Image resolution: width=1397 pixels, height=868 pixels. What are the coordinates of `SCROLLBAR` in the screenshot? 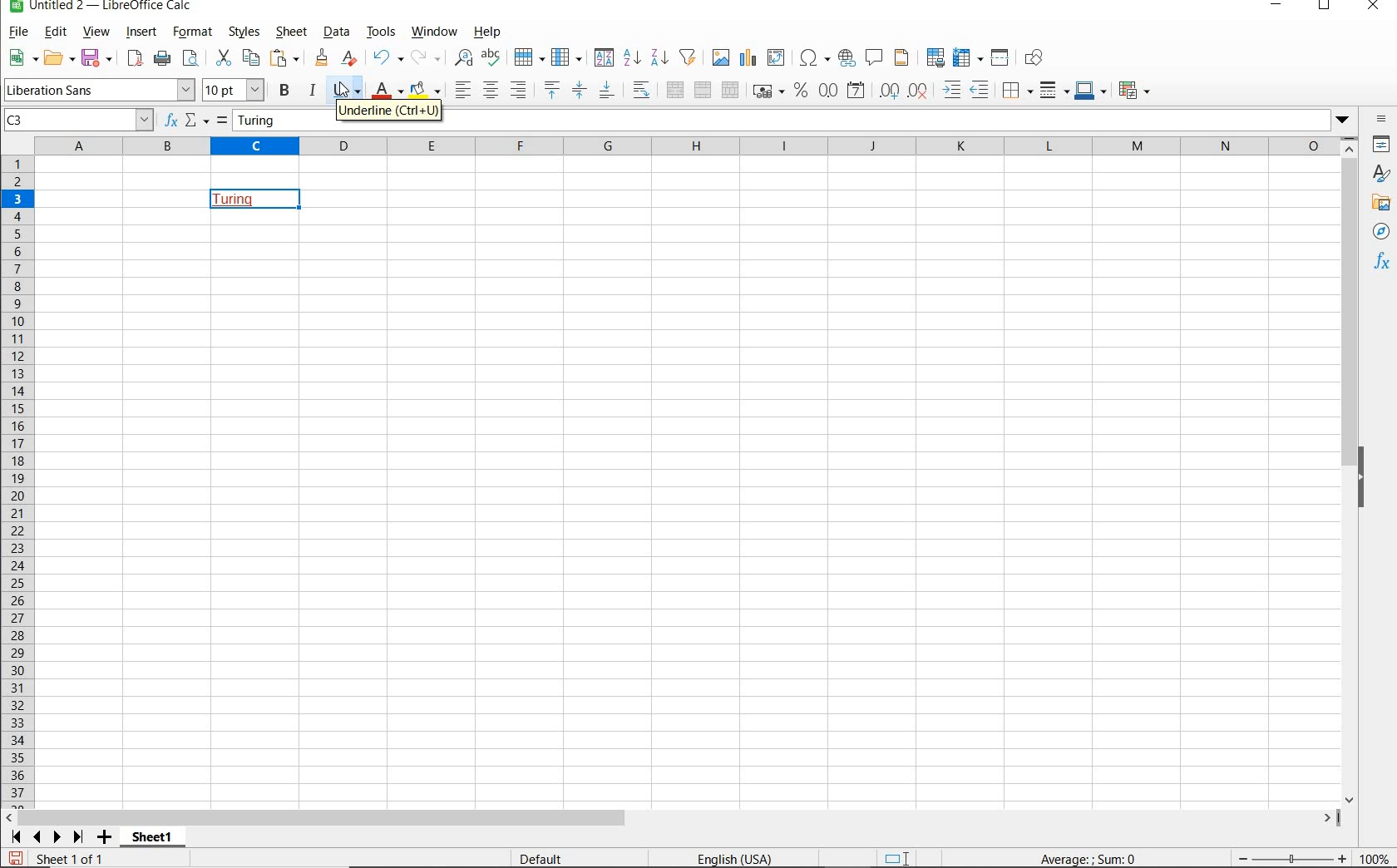 It's located at (671, 818).